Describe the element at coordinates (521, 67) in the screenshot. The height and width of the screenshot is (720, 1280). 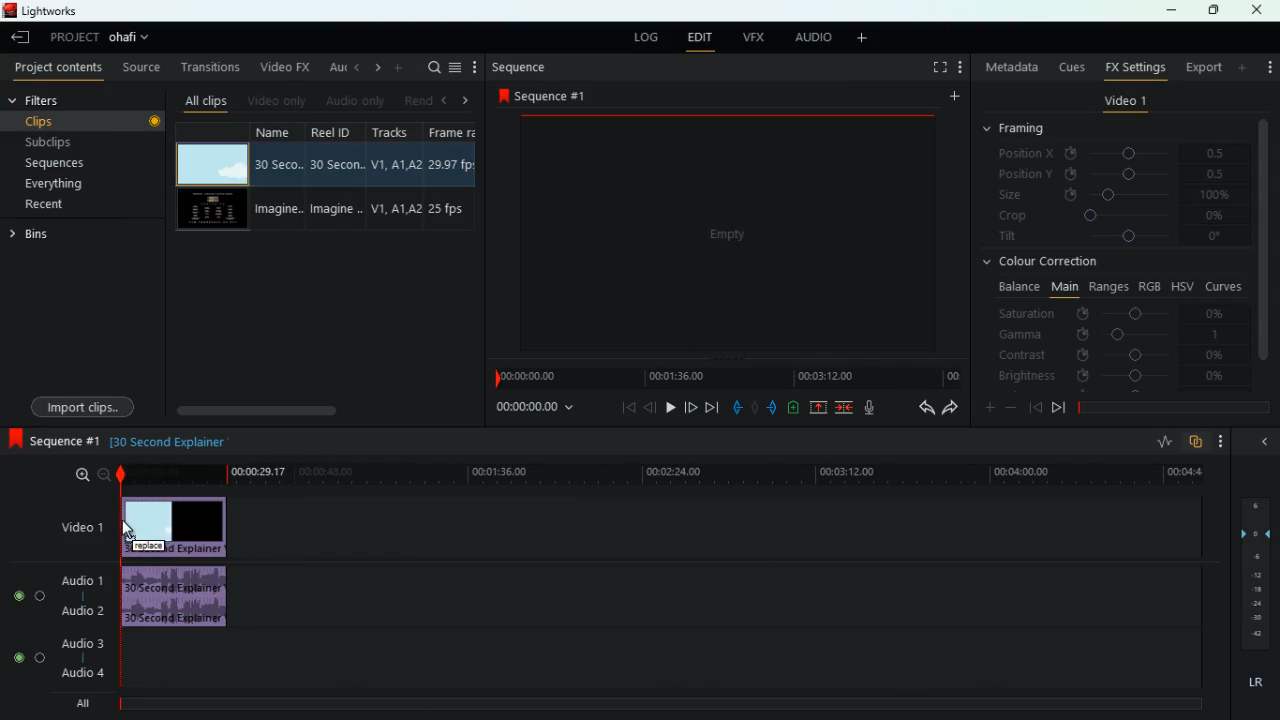
I see `sequence` at that location.